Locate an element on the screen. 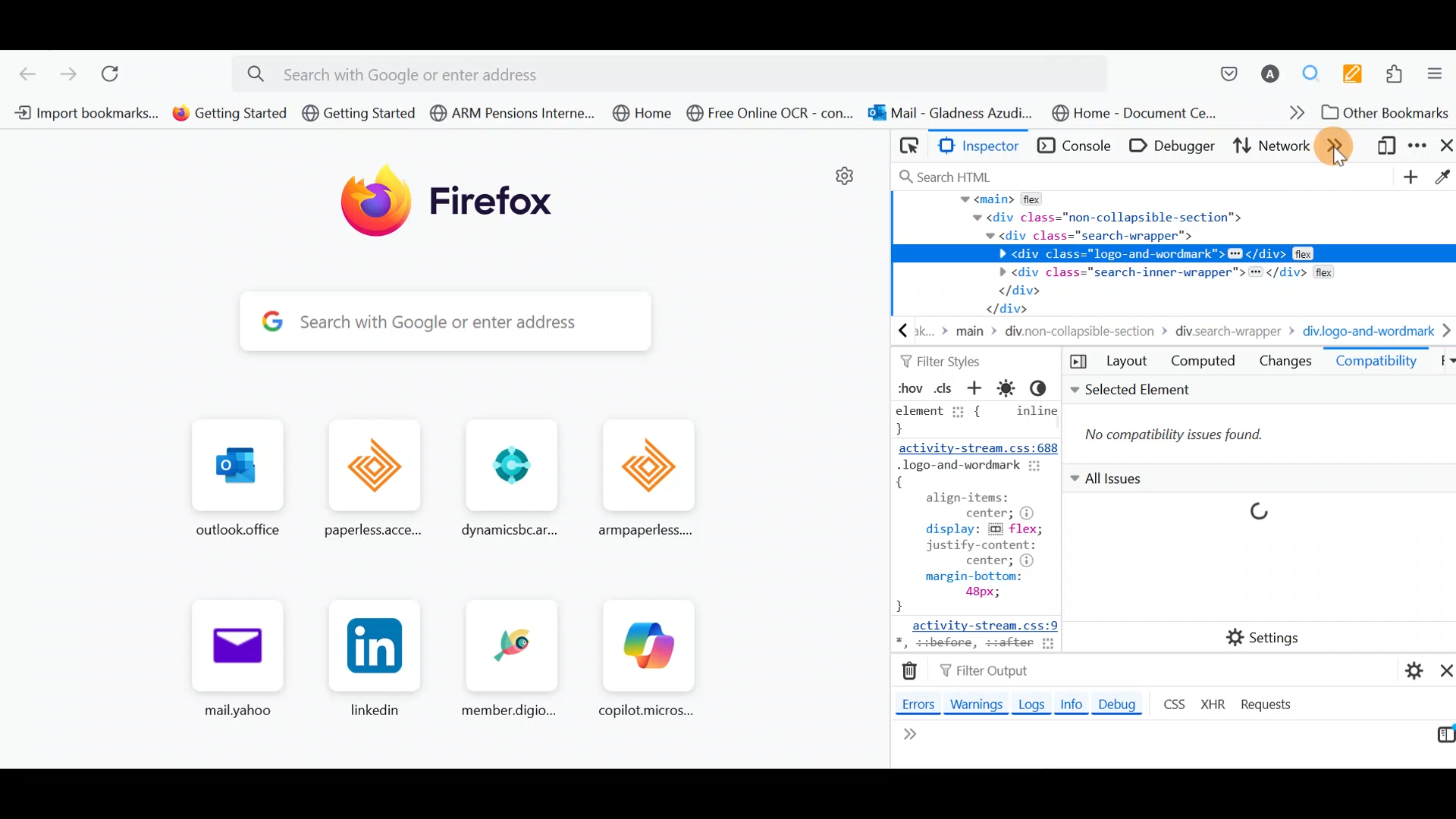  Changes is located at coordinates (1285, 362).